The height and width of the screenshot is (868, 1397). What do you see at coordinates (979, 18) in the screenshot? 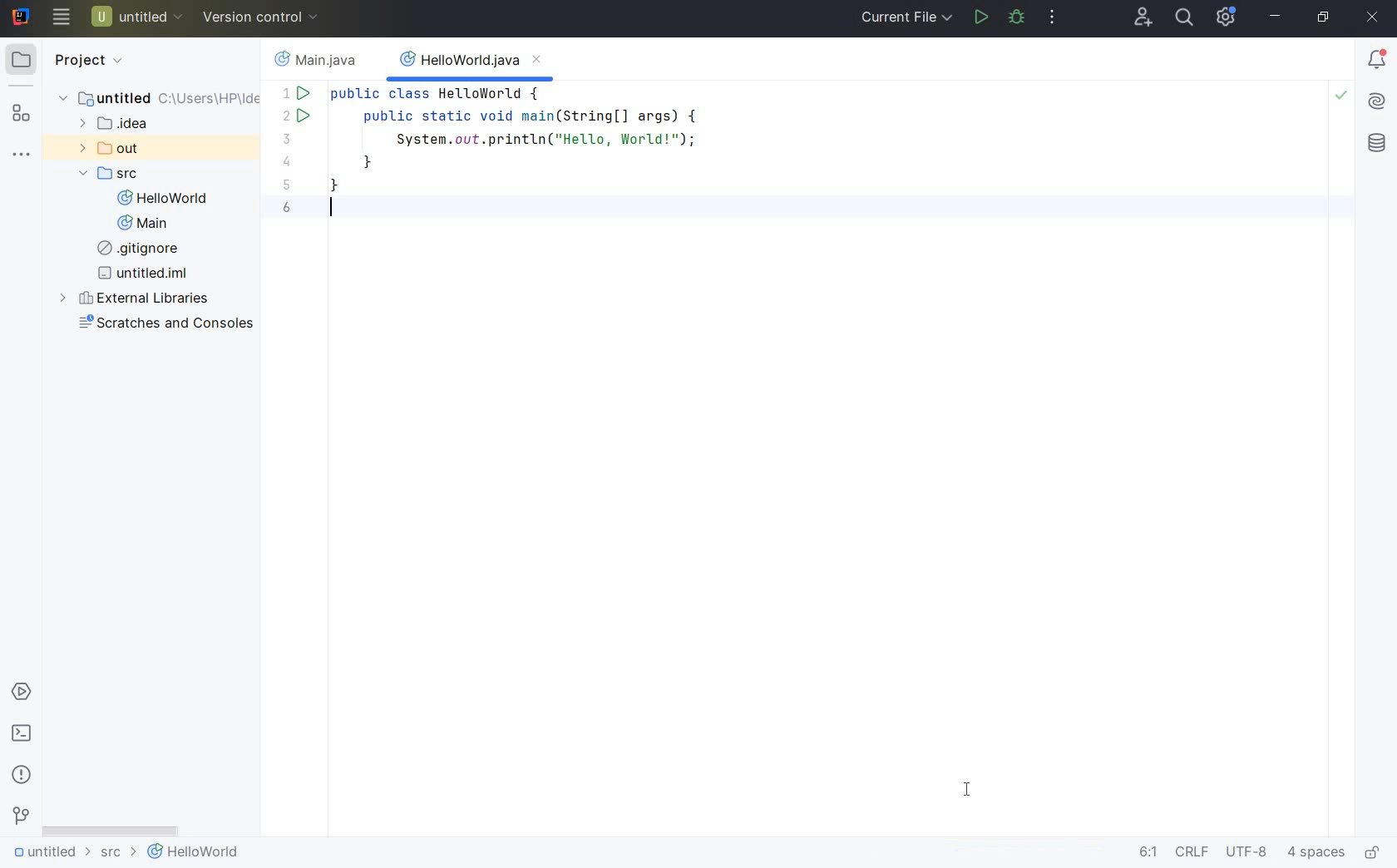
I see `RUN` at bounding box center [979, 18].